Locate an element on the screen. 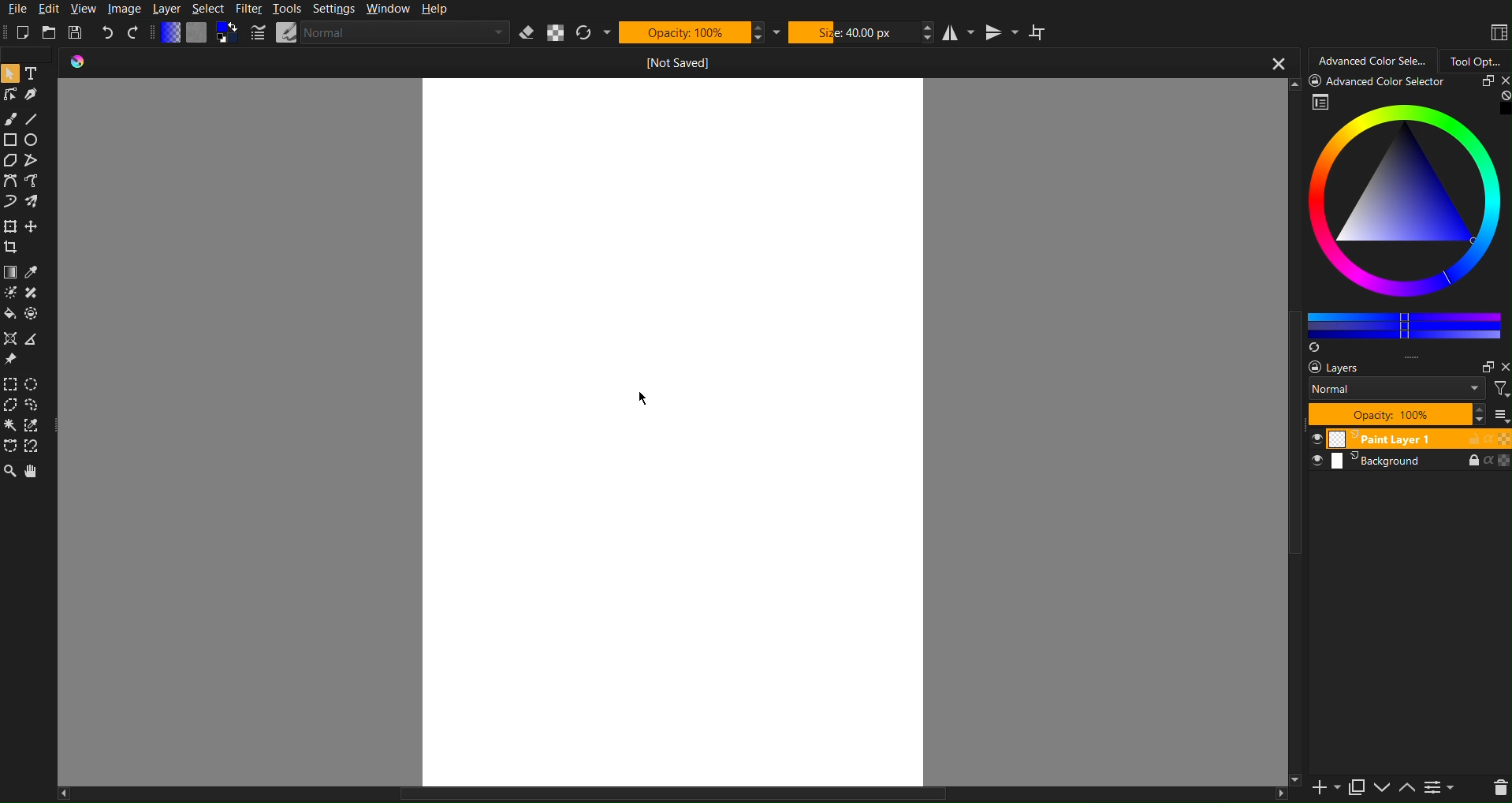  sync is located at coordinates (1316, 345).